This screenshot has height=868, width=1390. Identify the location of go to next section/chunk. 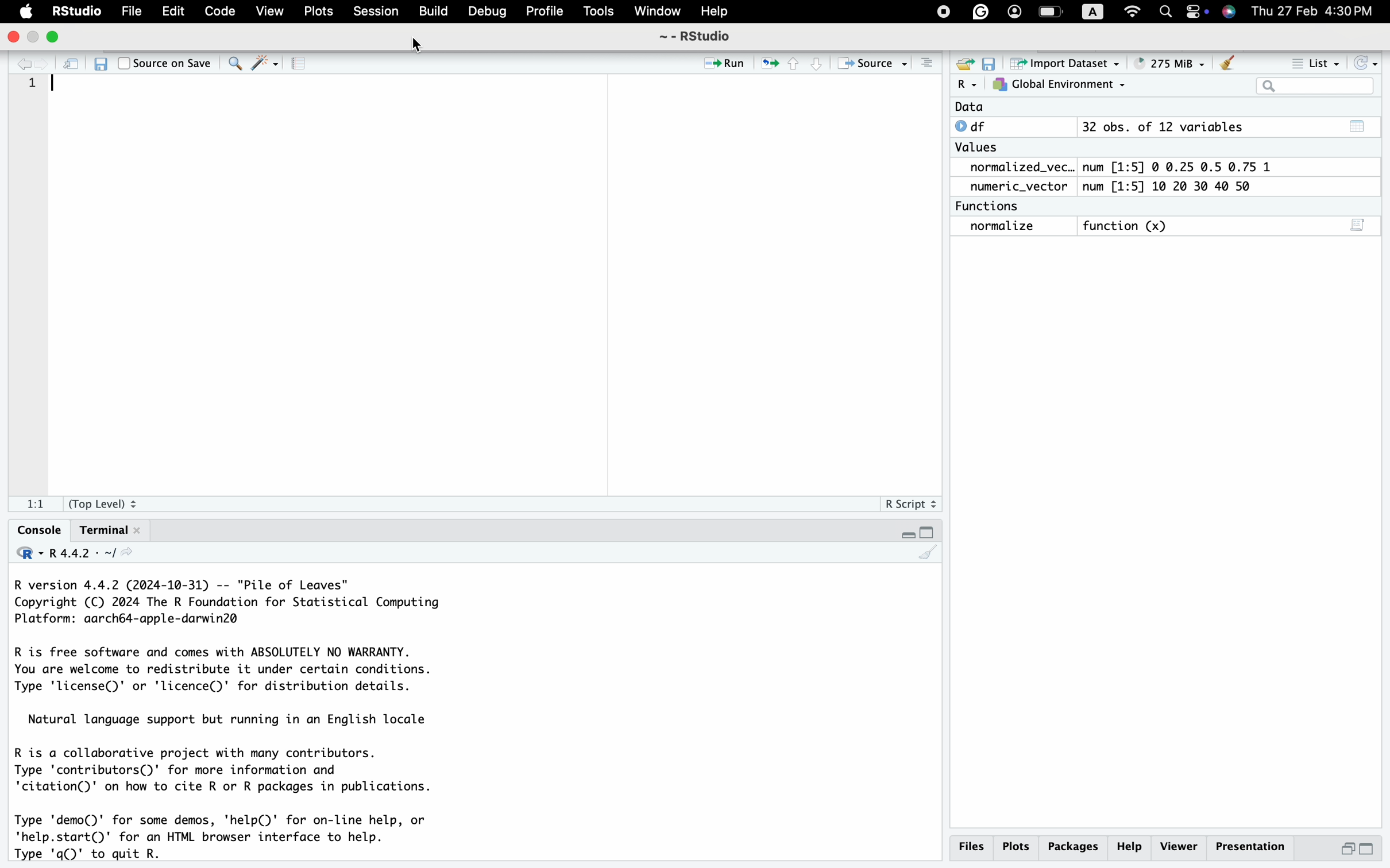
(820, 67).